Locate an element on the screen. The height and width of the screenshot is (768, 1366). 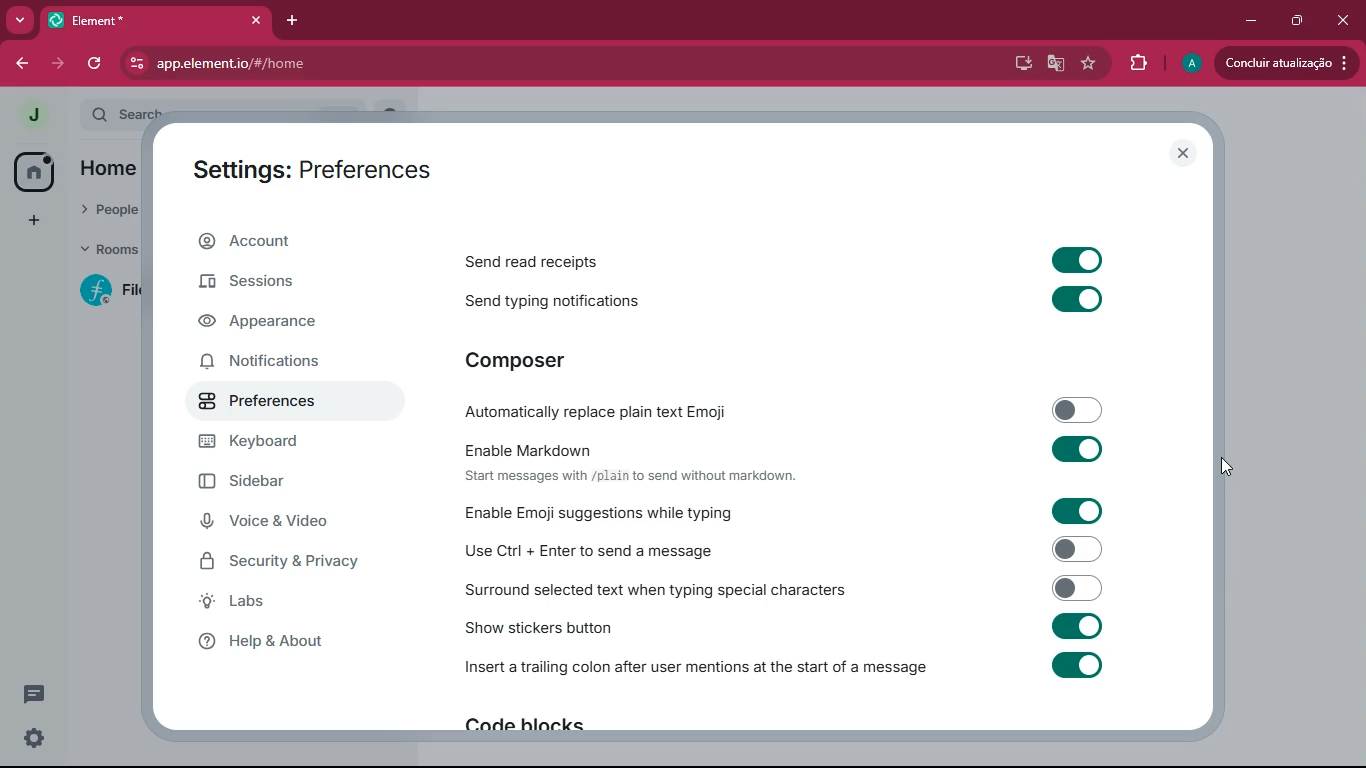
security & privacy is located at coordinates (291, 561).